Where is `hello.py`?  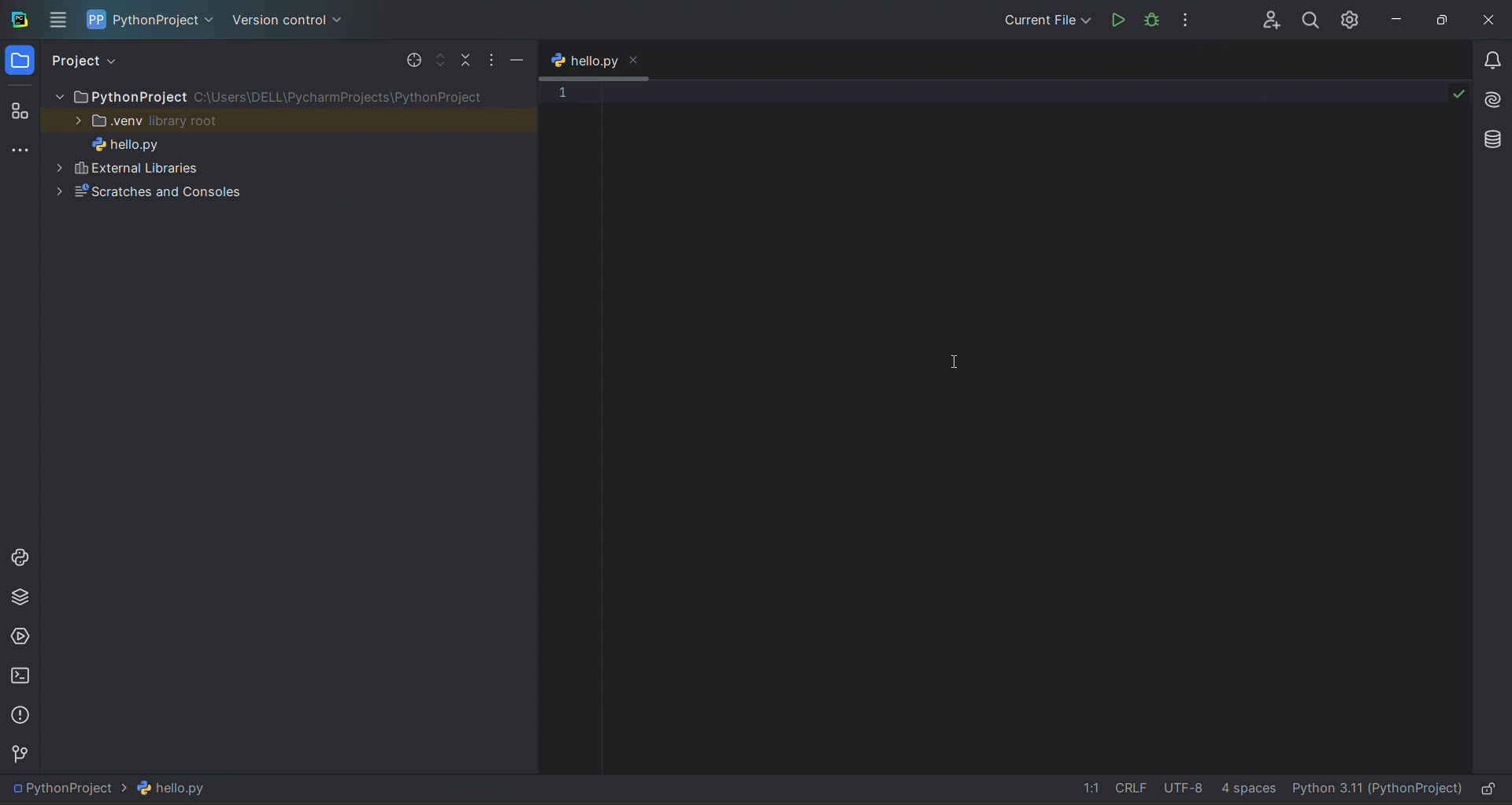 hello.py is located at coordinates (155, 142).